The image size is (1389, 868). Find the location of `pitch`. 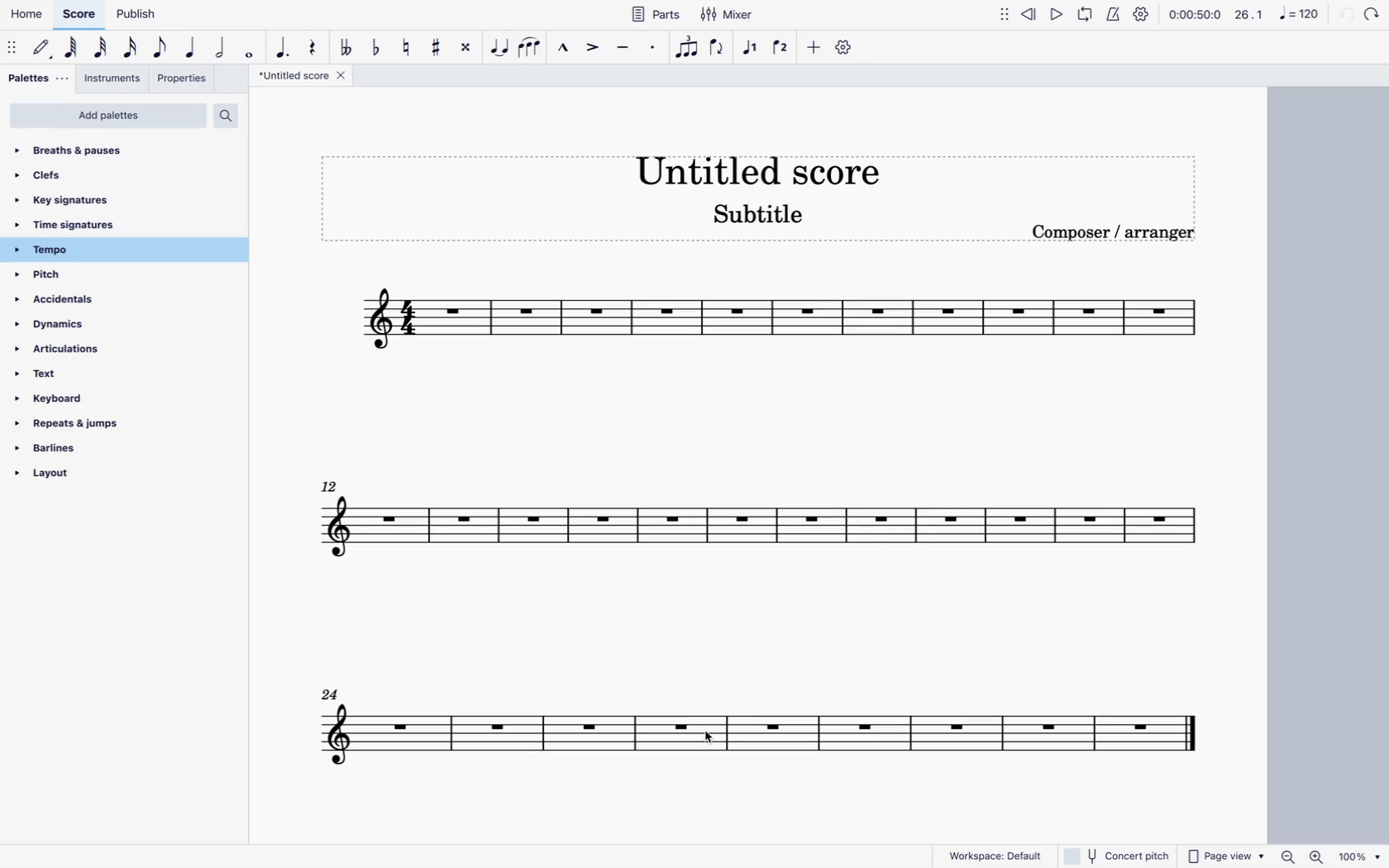

pitch is located at coordinates (64, 276).